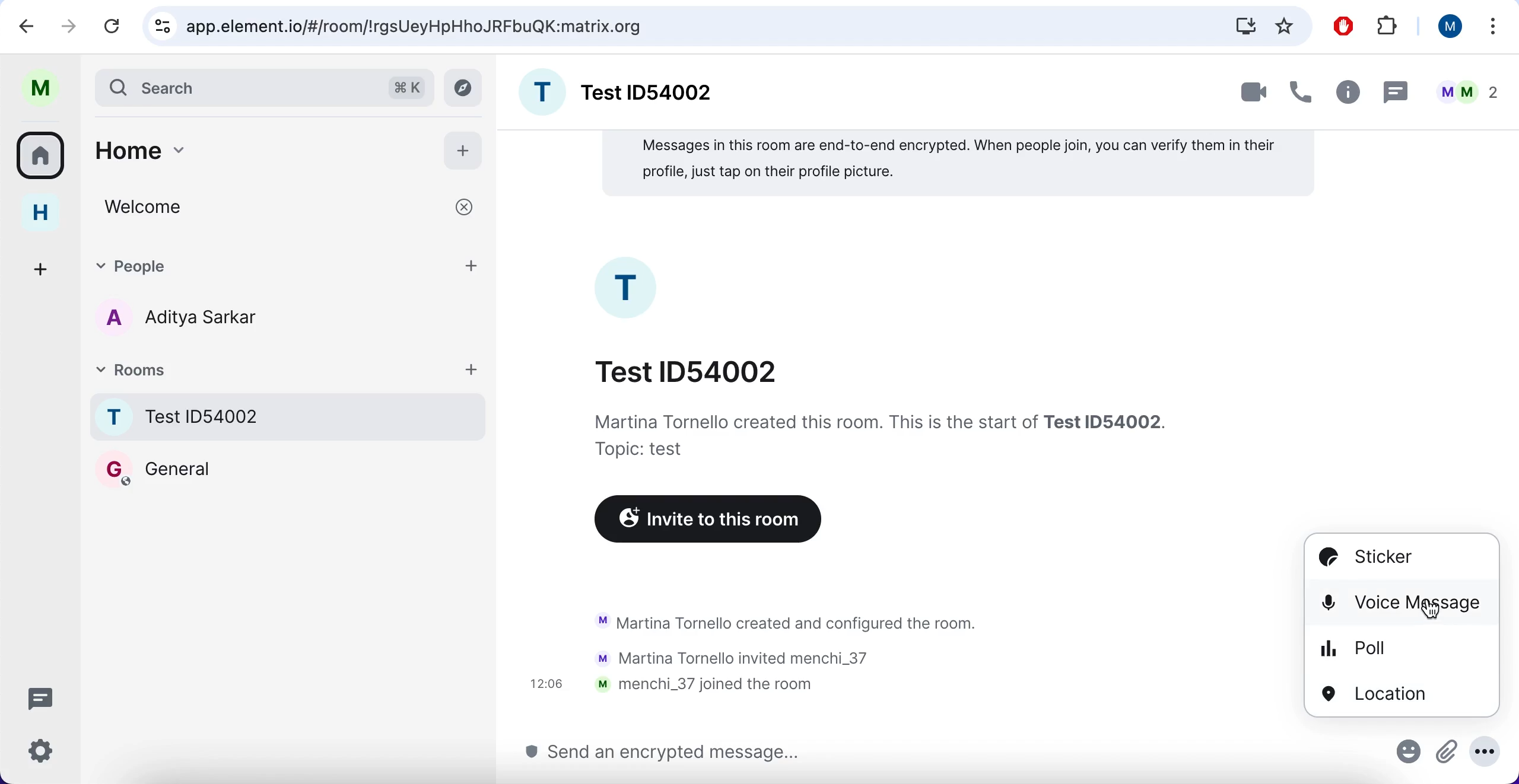  Describe the element at coordinates (172, 320) in the screenshot. I see `contacts` at that location.